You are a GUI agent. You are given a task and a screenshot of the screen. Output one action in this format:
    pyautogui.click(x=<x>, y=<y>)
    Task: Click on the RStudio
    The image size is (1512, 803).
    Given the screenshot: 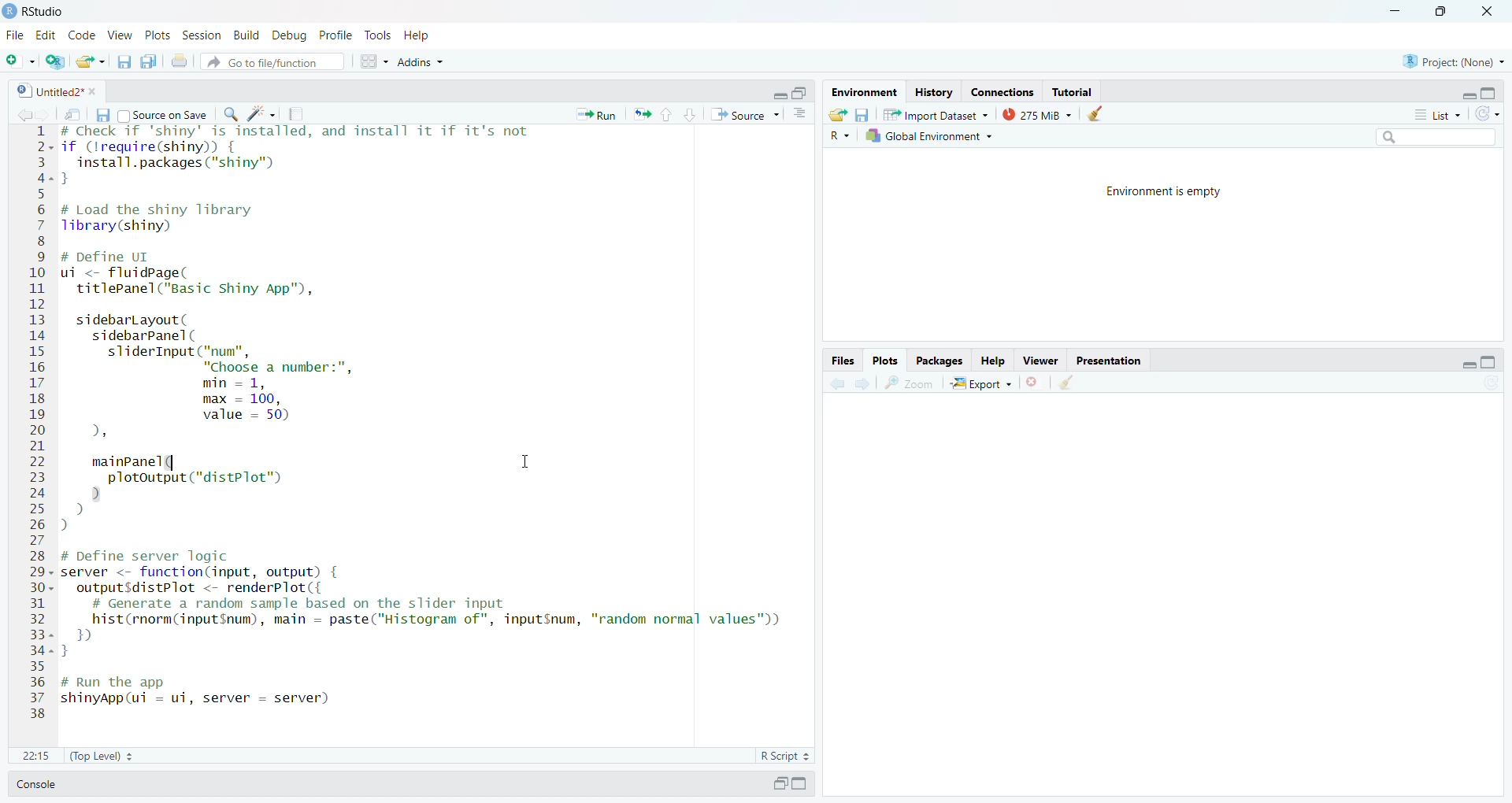 What is the action you would take?
    pyautogui.click(x=44, y=13)
    